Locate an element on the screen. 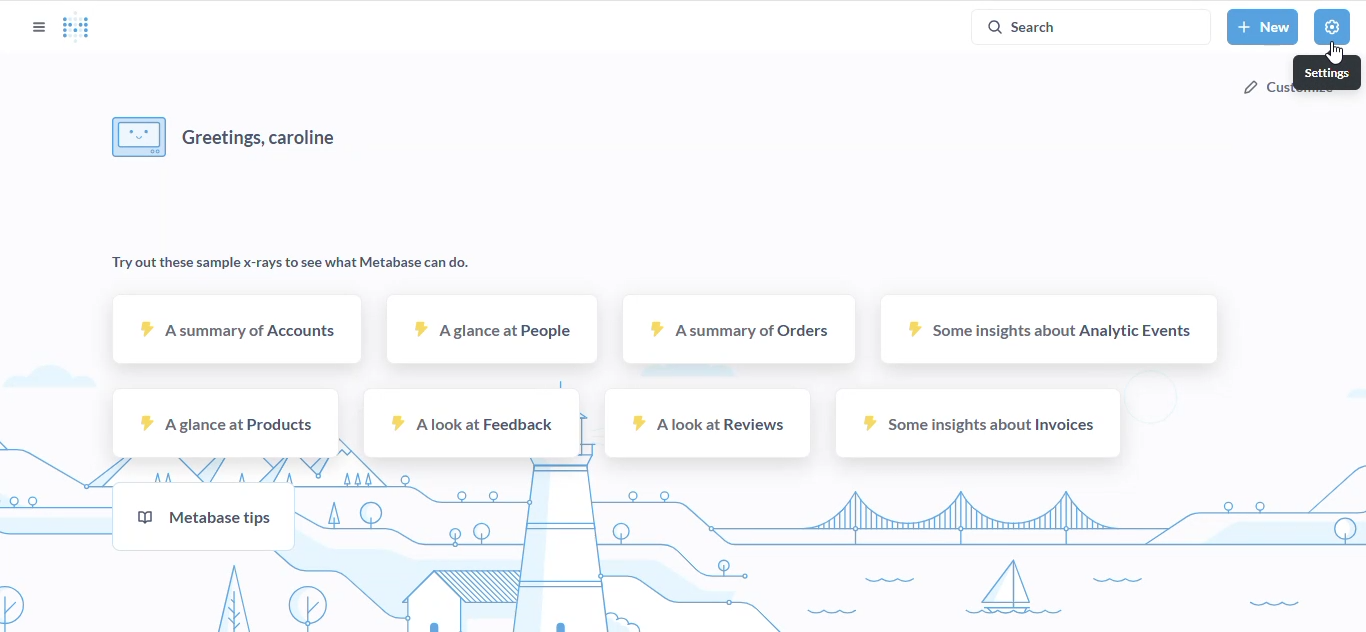 Image resolution: width=1366 pixels, height=632 pixels. a glance at people is located at coordinates (492, 329).